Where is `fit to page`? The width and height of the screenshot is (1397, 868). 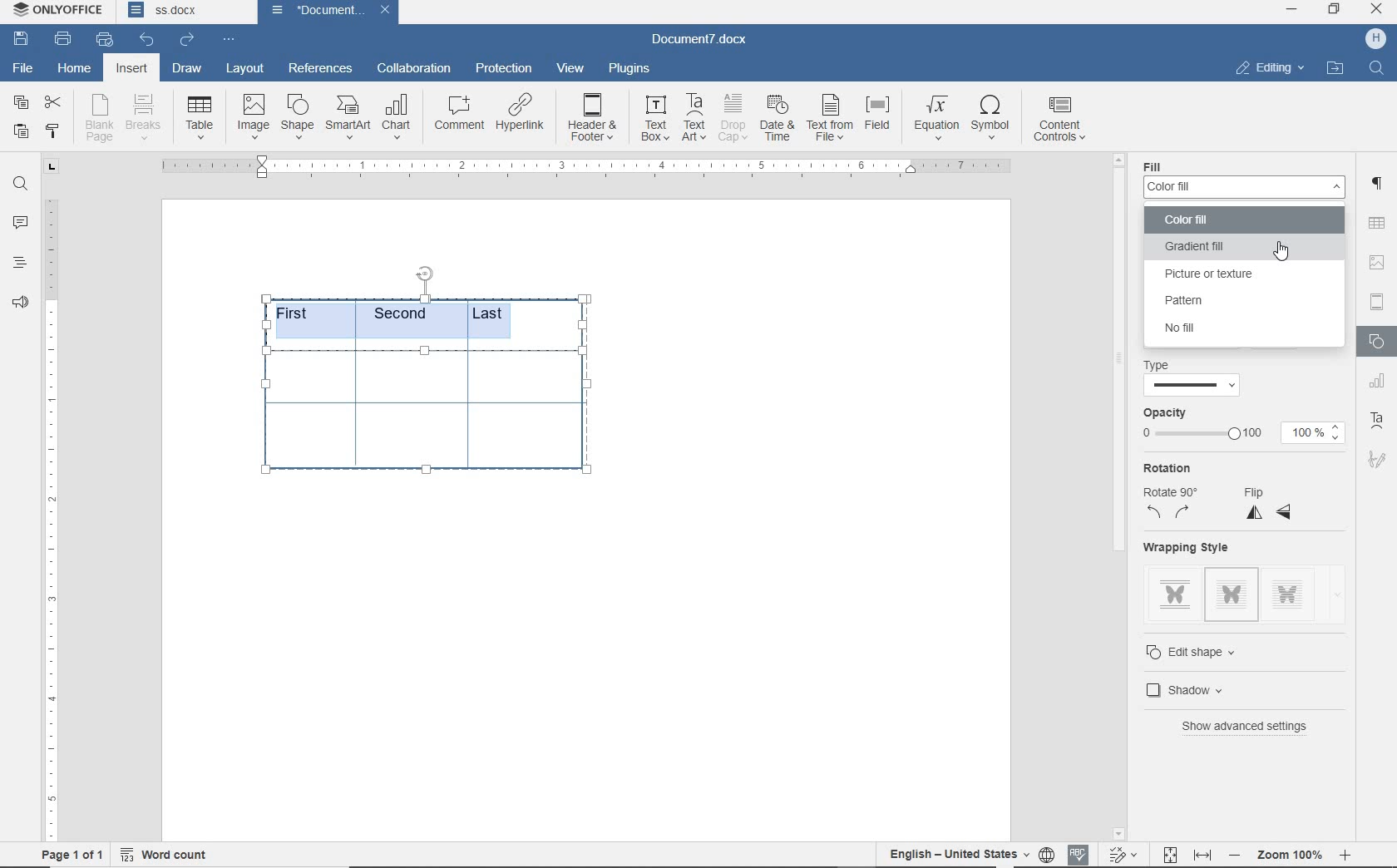
fit to page is located at coordinates (1169, 852).